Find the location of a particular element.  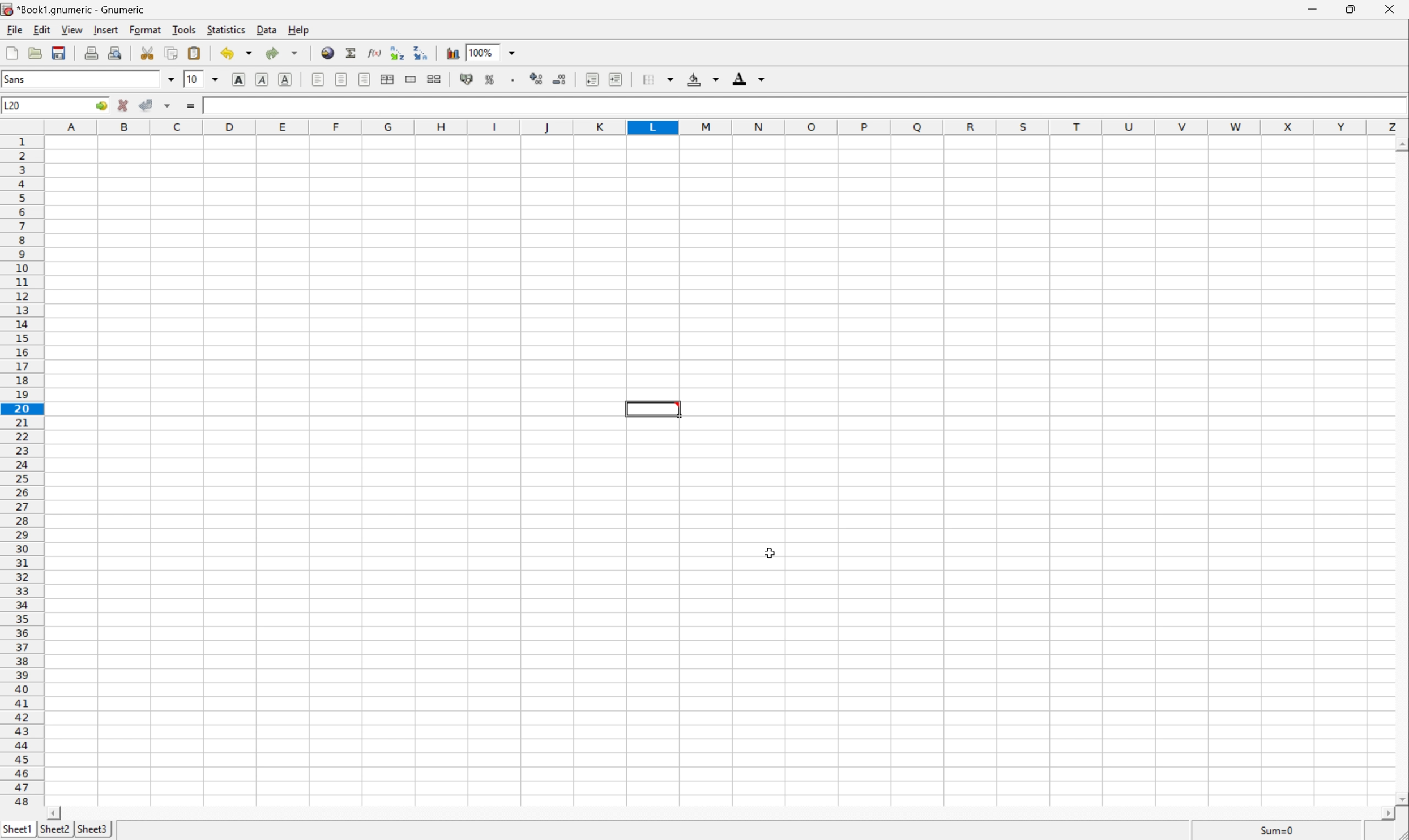

10 is located at coordinates (194, 80).